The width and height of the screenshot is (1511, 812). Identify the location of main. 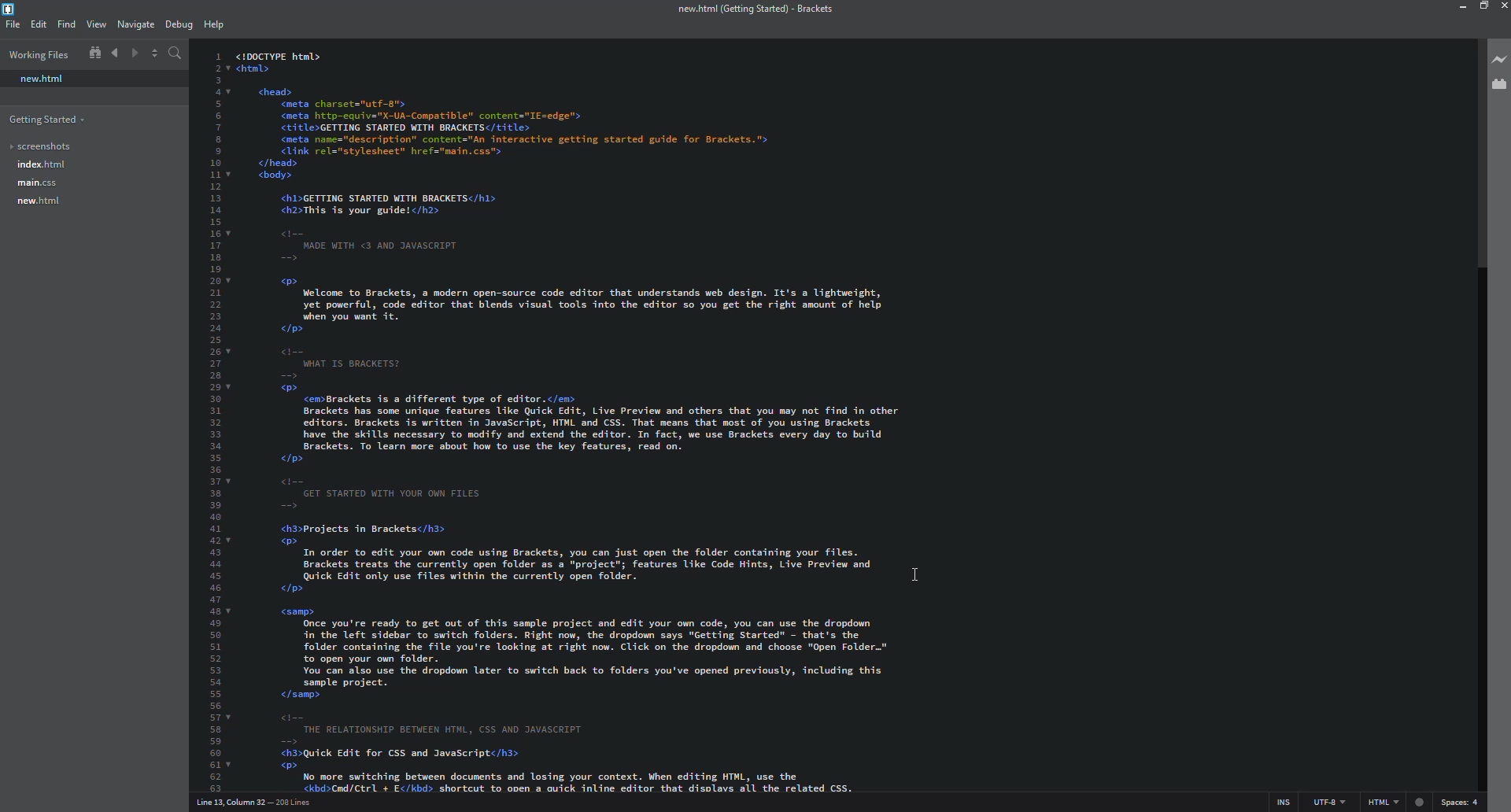
(36, 183).